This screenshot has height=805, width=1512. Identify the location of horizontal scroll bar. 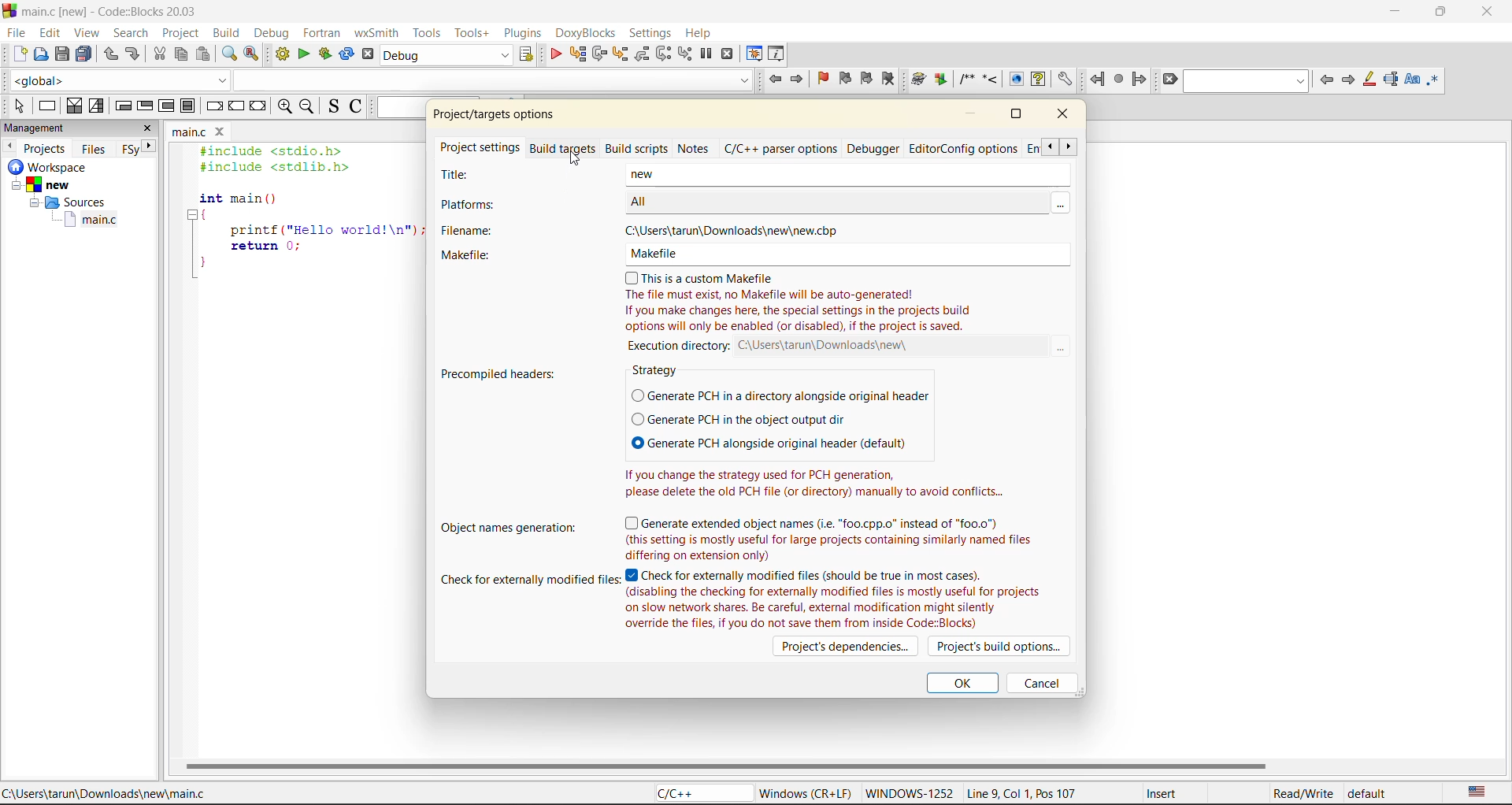
(727, 765).